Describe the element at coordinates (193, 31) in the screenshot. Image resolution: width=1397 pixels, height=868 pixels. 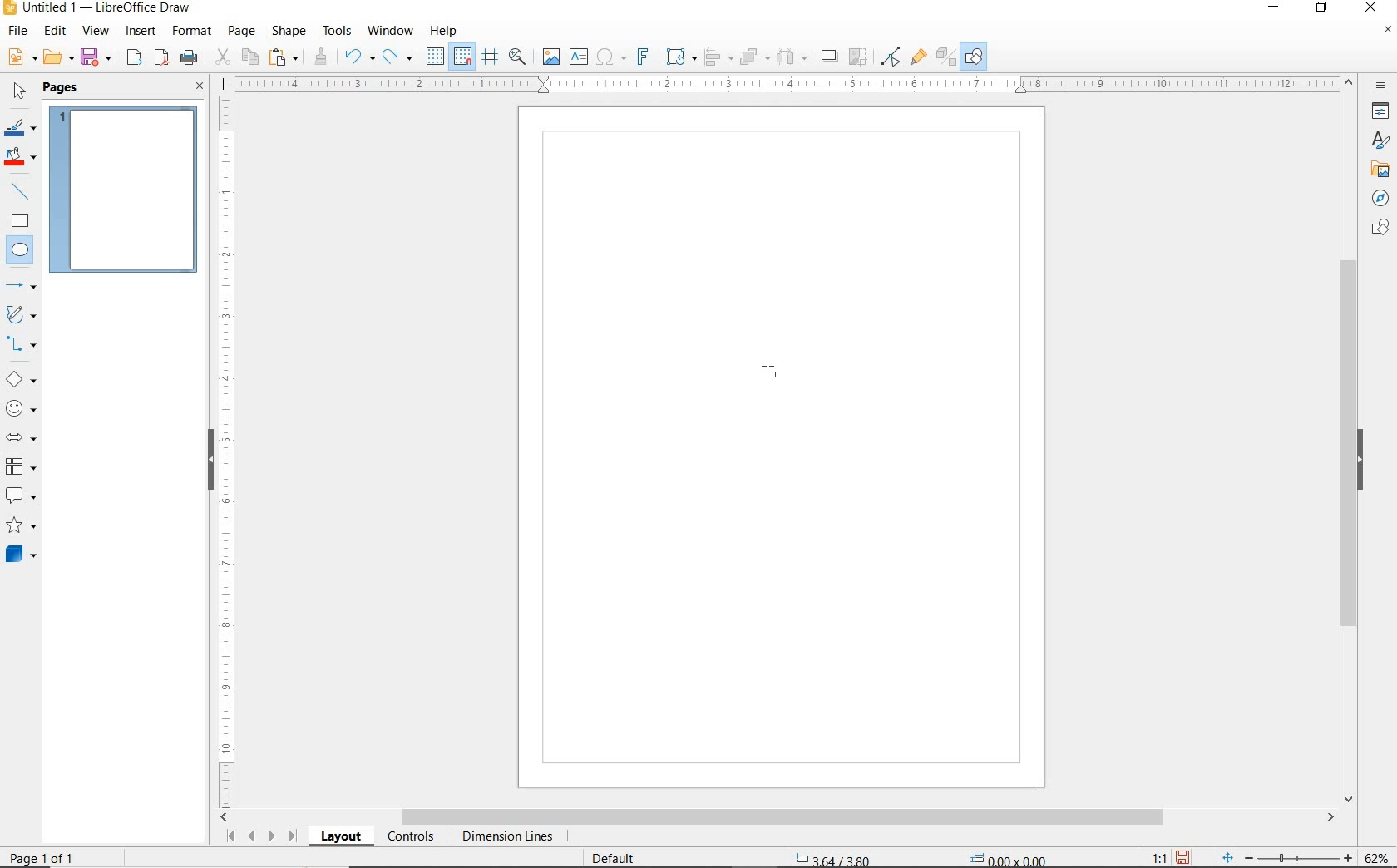
I see `FORMAT` at that location.